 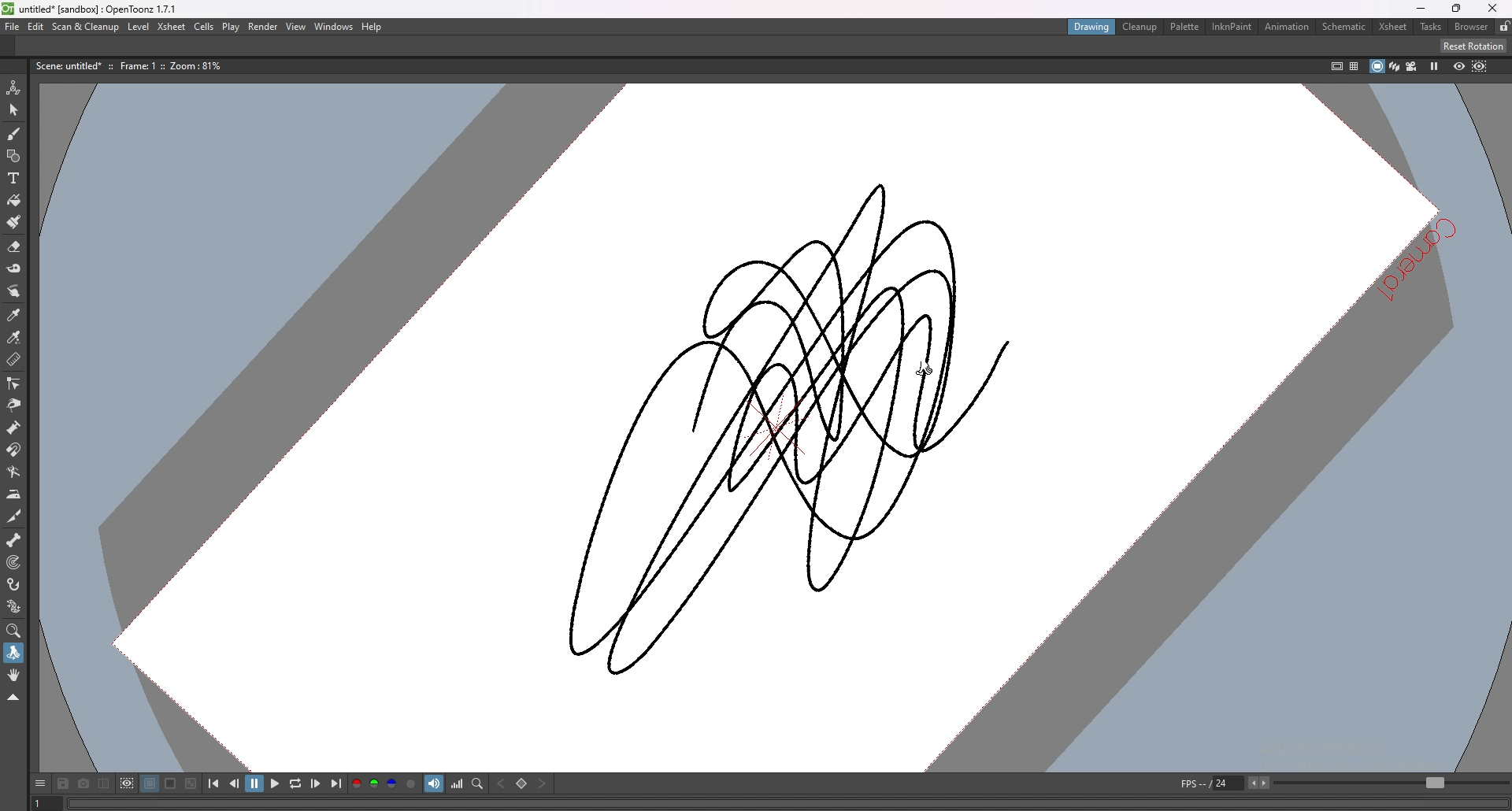 What do you see at coordinates (372, 27) in the screenshot?
I see `help` at bounding box center [372, 27].